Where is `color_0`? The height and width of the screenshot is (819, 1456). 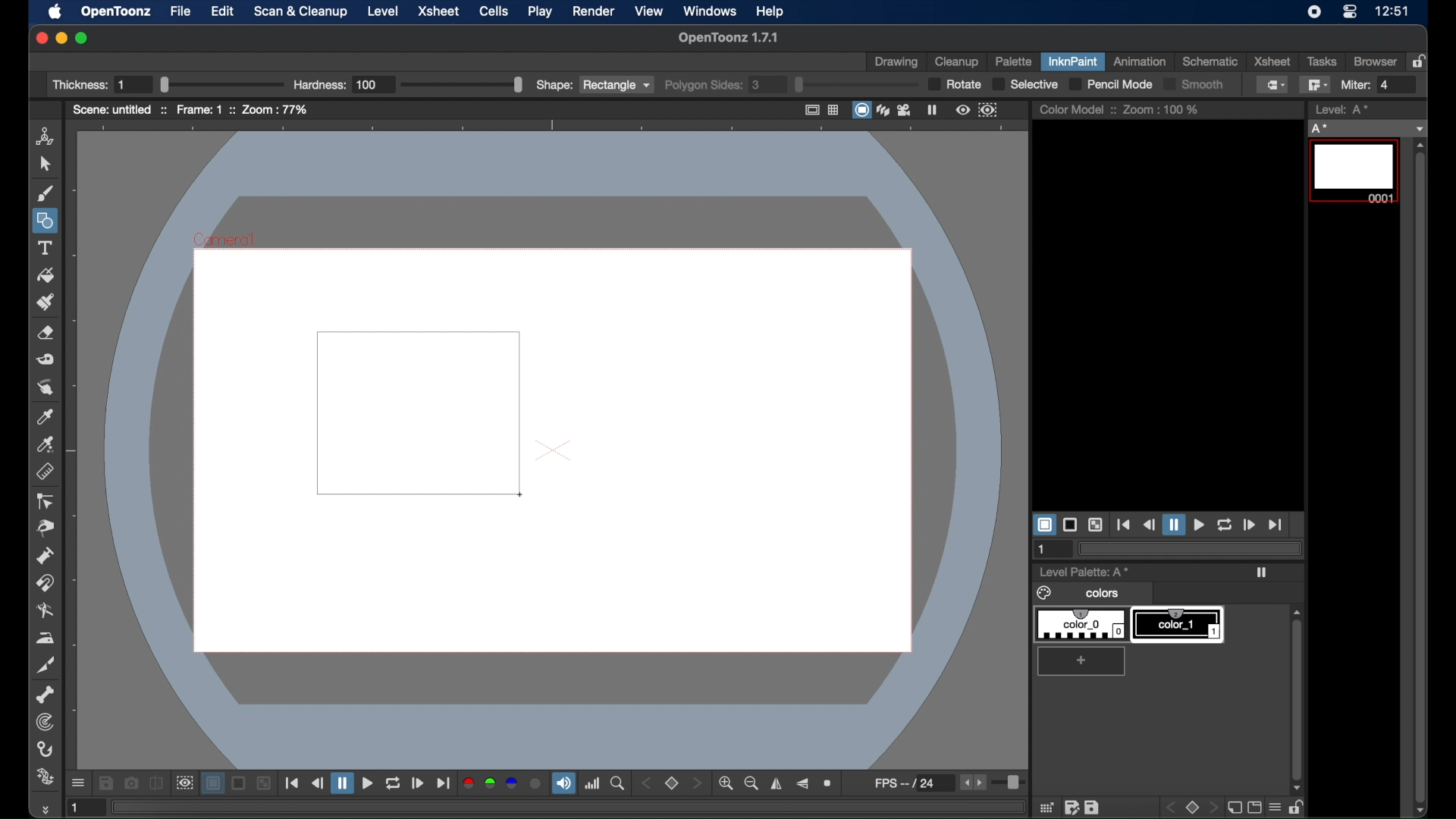
color_0 is located at coordinates (1083, 625).